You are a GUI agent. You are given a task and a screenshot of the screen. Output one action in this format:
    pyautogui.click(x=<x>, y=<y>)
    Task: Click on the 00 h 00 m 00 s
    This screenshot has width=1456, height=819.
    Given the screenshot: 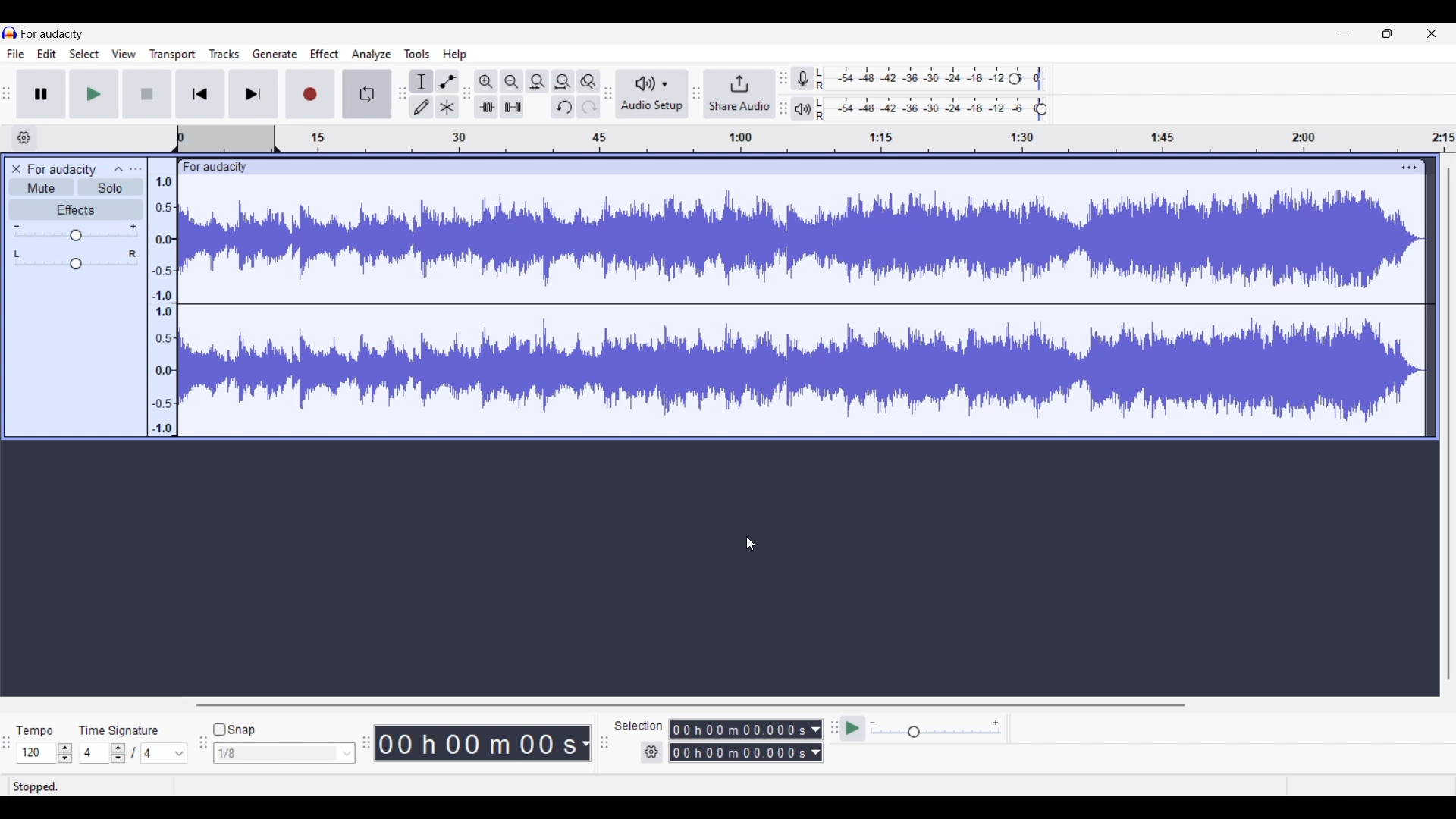 What is the action you would take?
    pyautogui.click(x=485, y=744)
    